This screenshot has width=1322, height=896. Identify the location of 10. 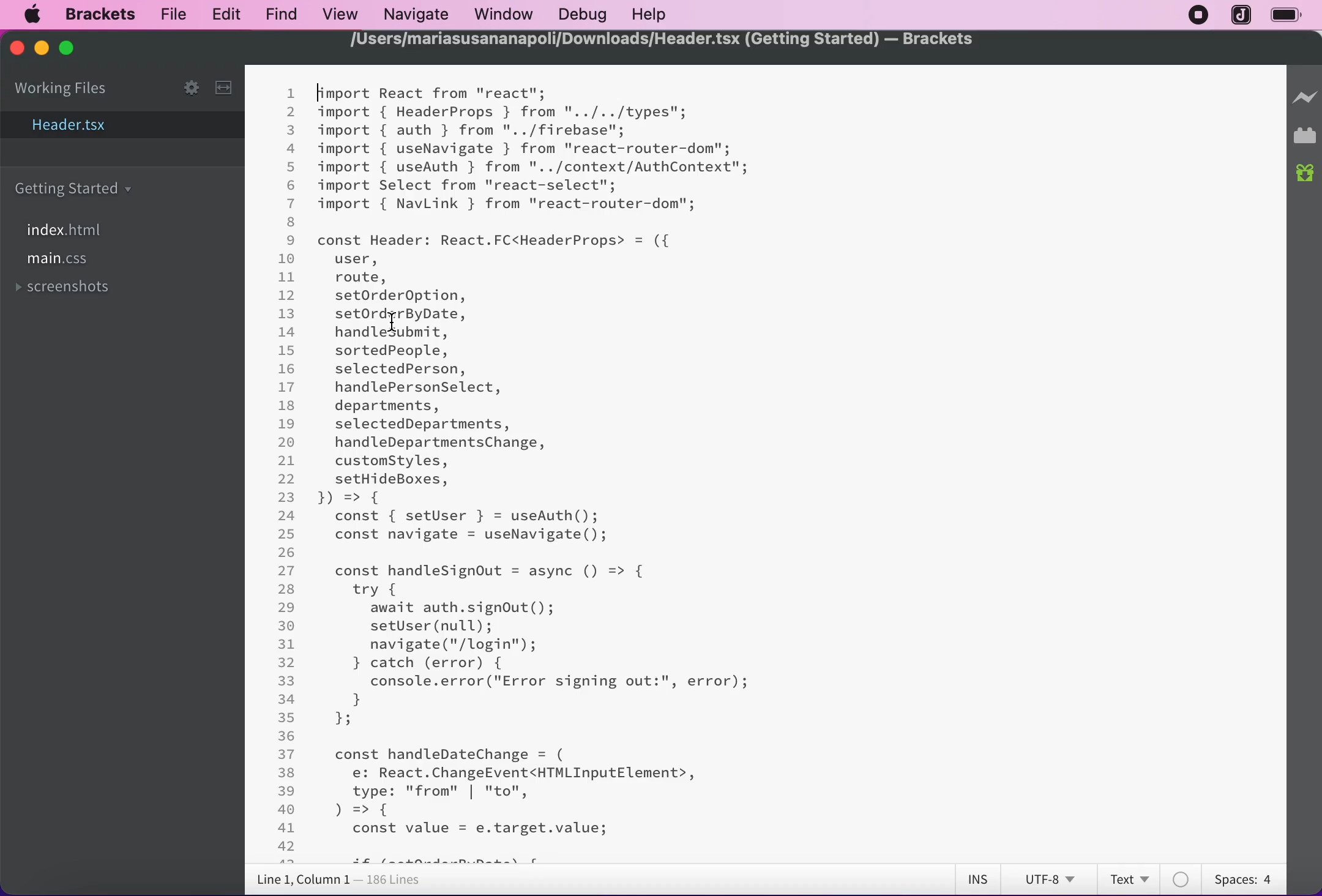
(288, 259).